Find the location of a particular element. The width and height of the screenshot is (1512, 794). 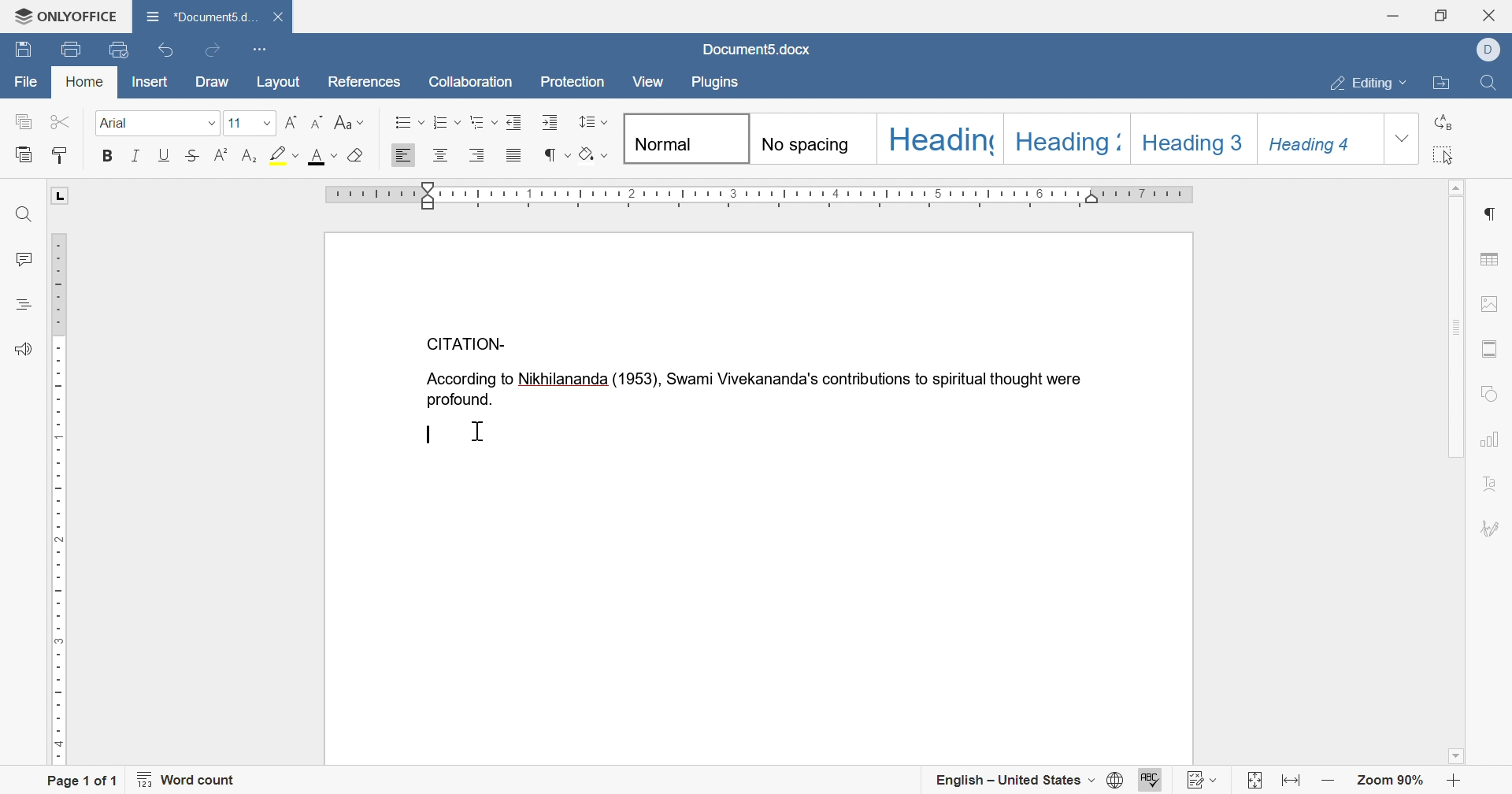

clear style is located at coordinates (357, 156).